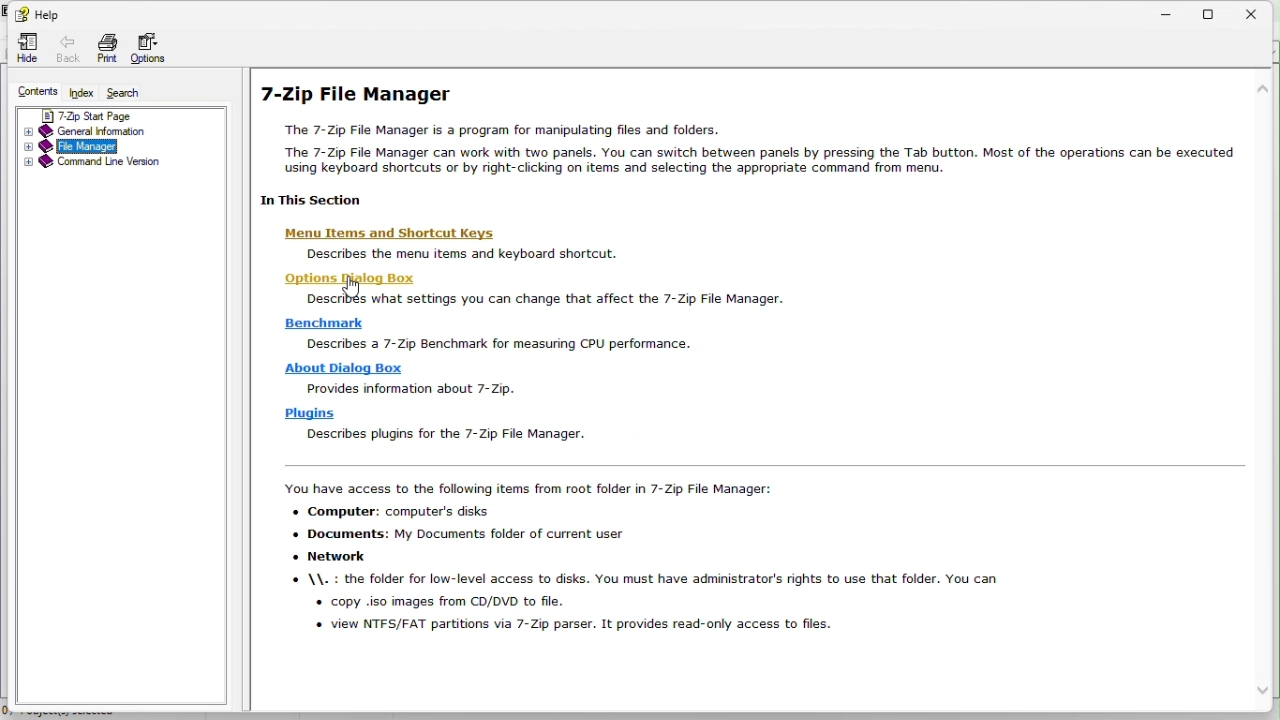 The height and width of the screenshot is (720, 1280). I want to click on plugins, so click(312, 413).